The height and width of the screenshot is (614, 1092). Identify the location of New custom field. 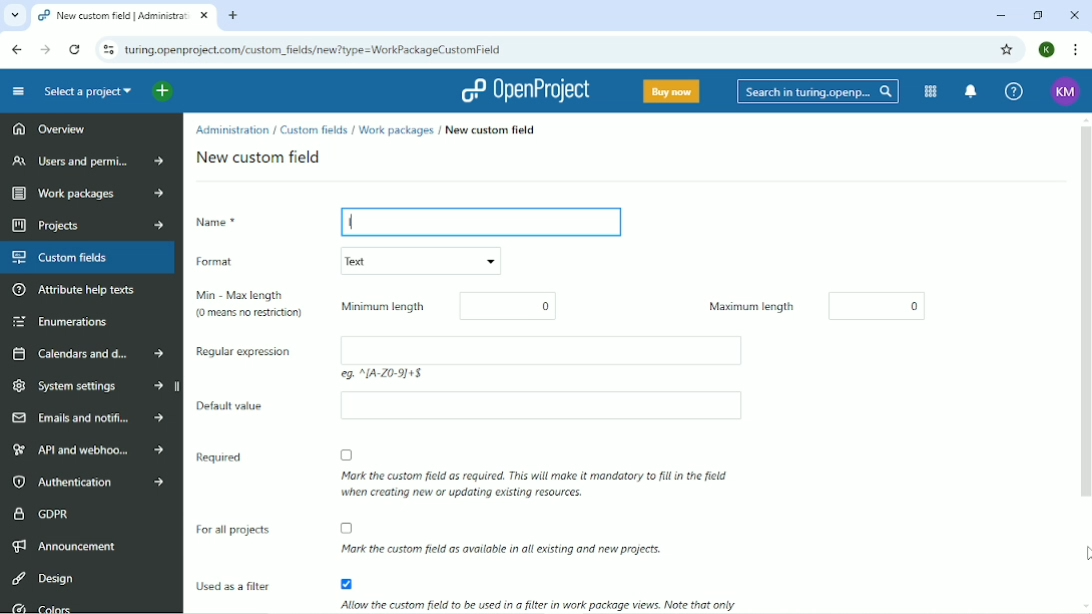
(267, 157).